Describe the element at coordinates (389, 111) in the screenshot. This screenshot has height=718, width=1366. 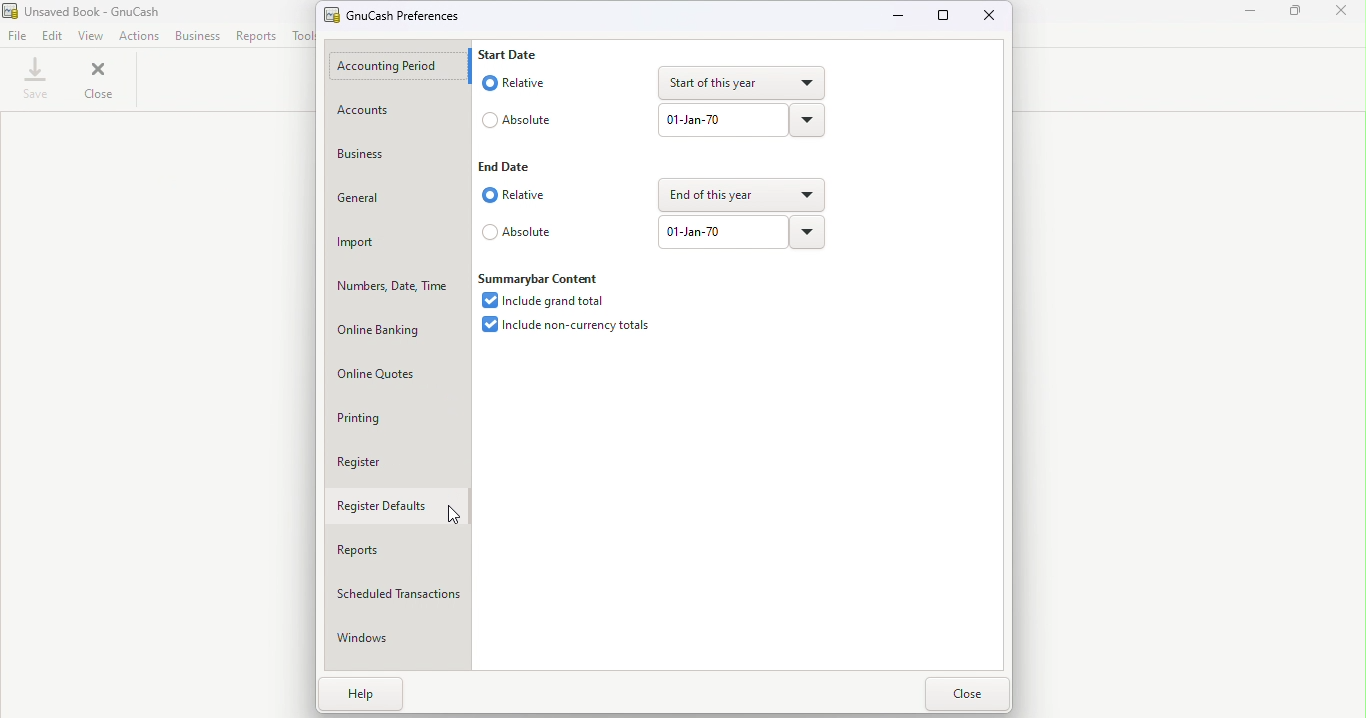
I see `Accounts` at that location.